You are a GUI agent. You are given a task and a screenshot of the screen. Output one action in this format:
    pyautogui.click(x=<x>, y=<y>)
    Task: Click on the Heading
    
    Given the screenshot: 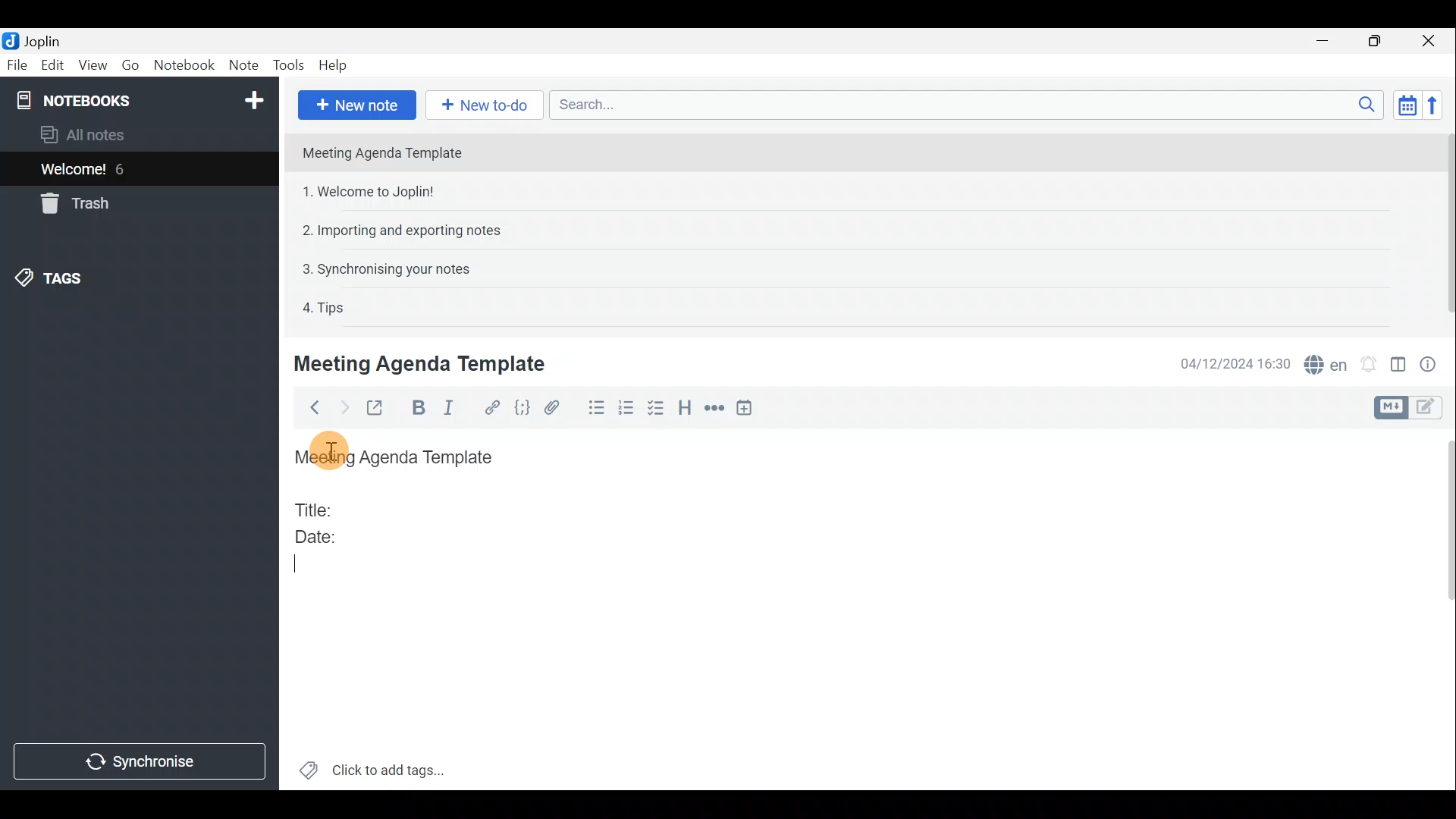 What is the action you would take?
    pyautogui.click(x=683, y=411)
    